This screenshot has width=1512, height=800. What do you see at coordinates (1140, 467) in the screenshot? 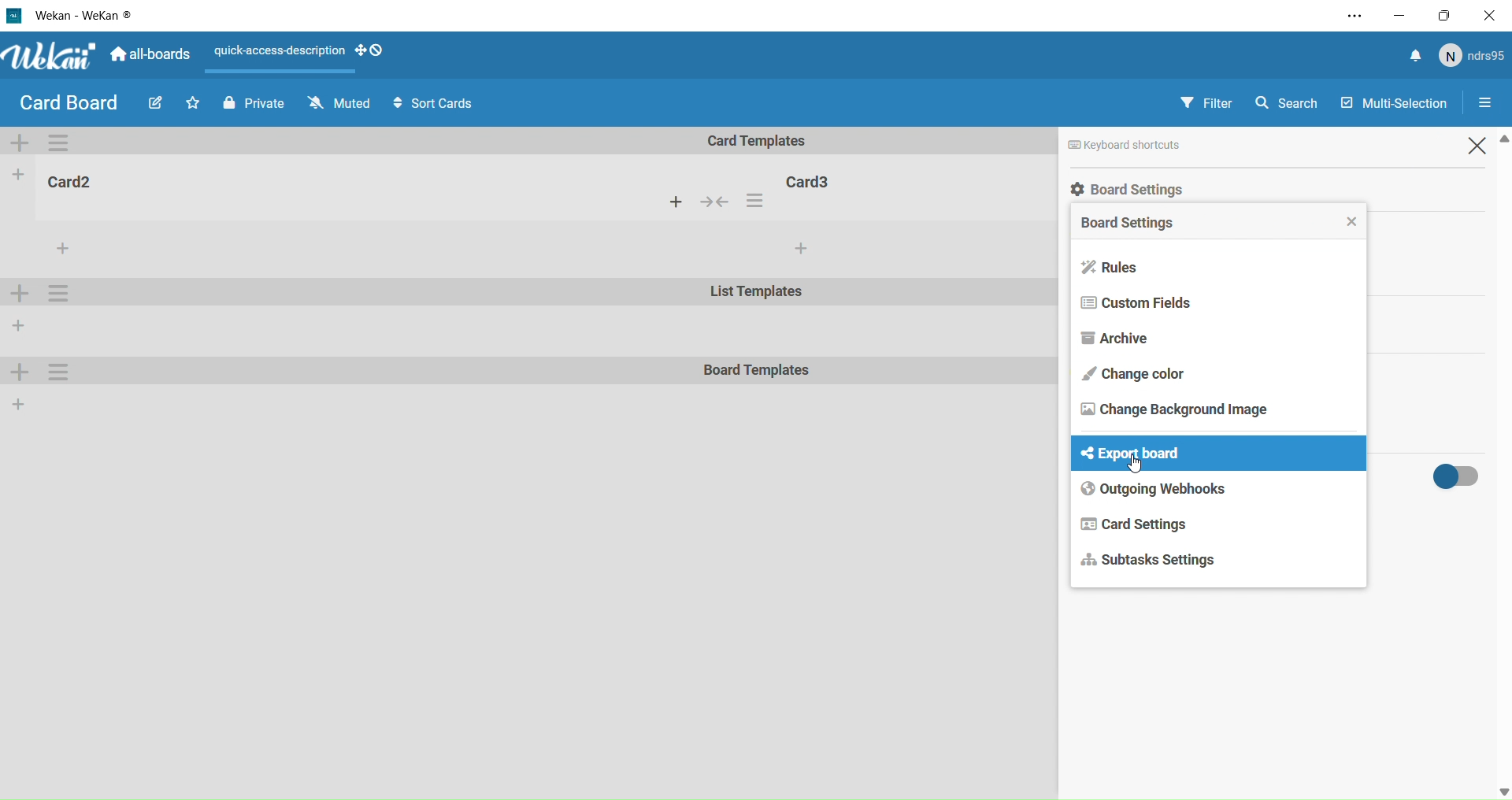
I see `cursor` at bounding box center [1140, 467].